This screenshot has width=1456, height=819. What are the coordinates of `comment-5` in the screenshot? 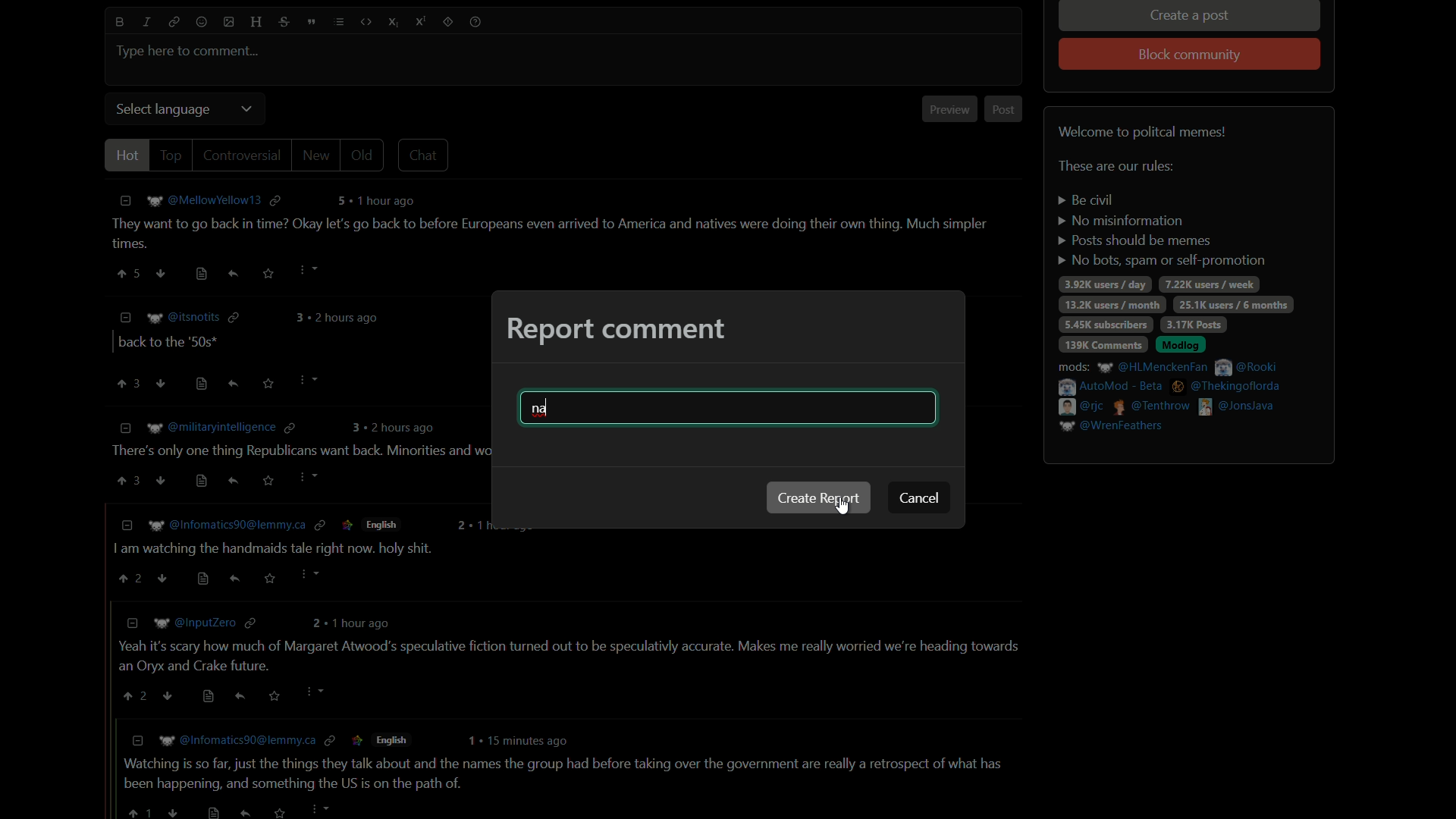 It's located at (576, 656).